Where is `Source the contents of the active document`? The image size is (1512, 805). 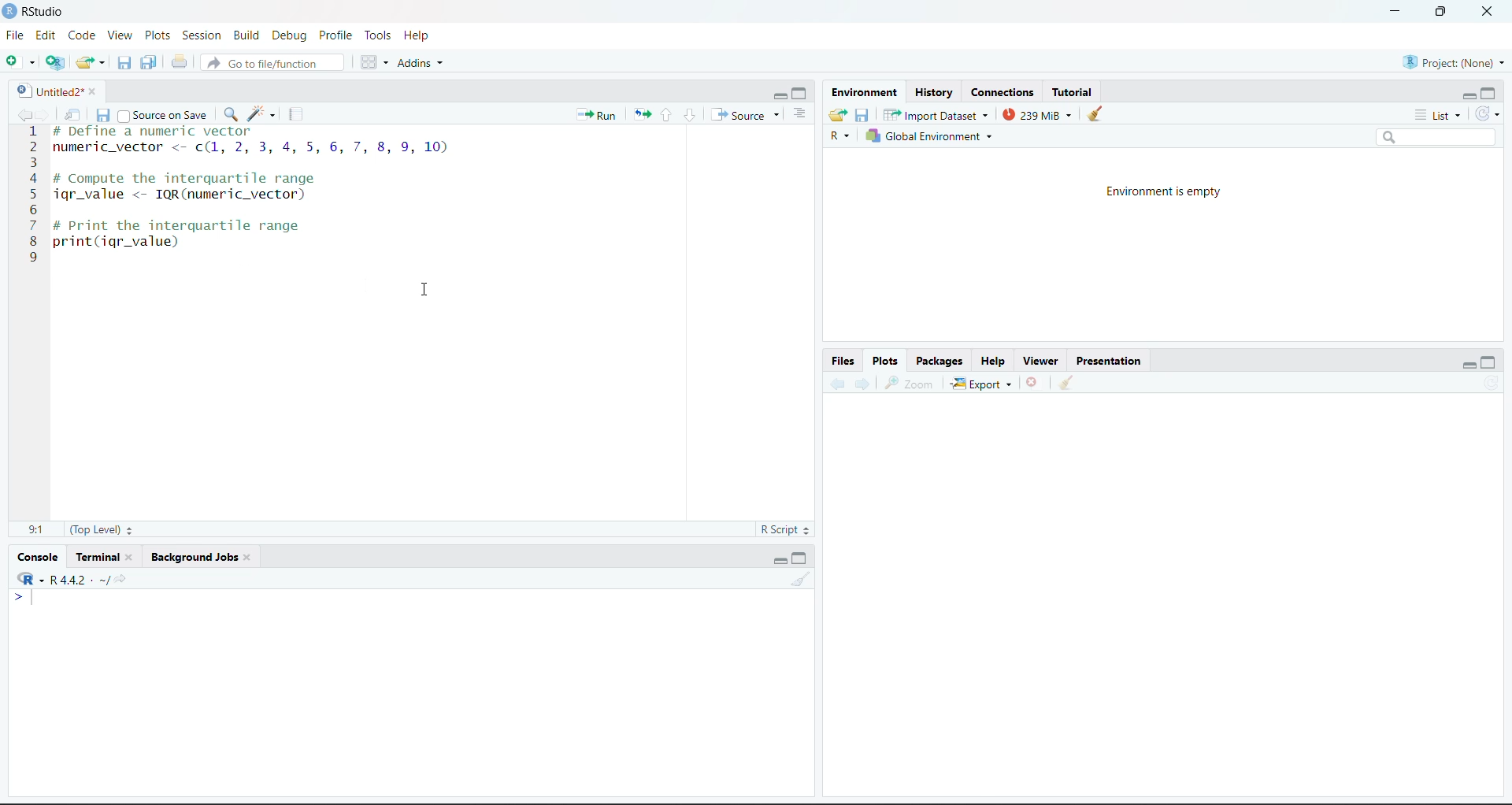 Source the contents of the active document is located at coordinates (747, 115).